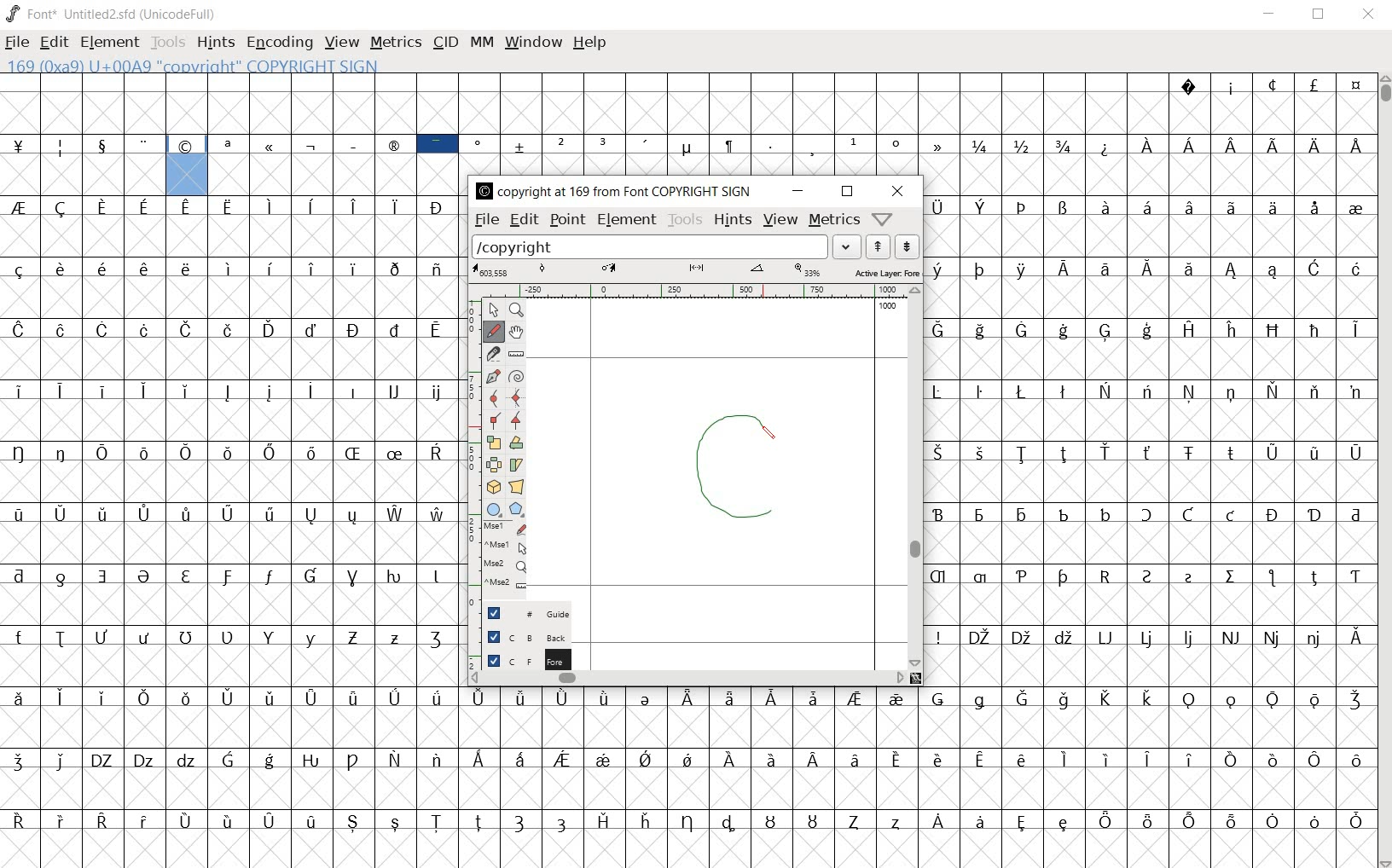 The height and width of the screenshot is (868, 1392). What do you see at coordinates (52, 40) in the screenshot?
I see `edit` at bounding box center [52, 40].